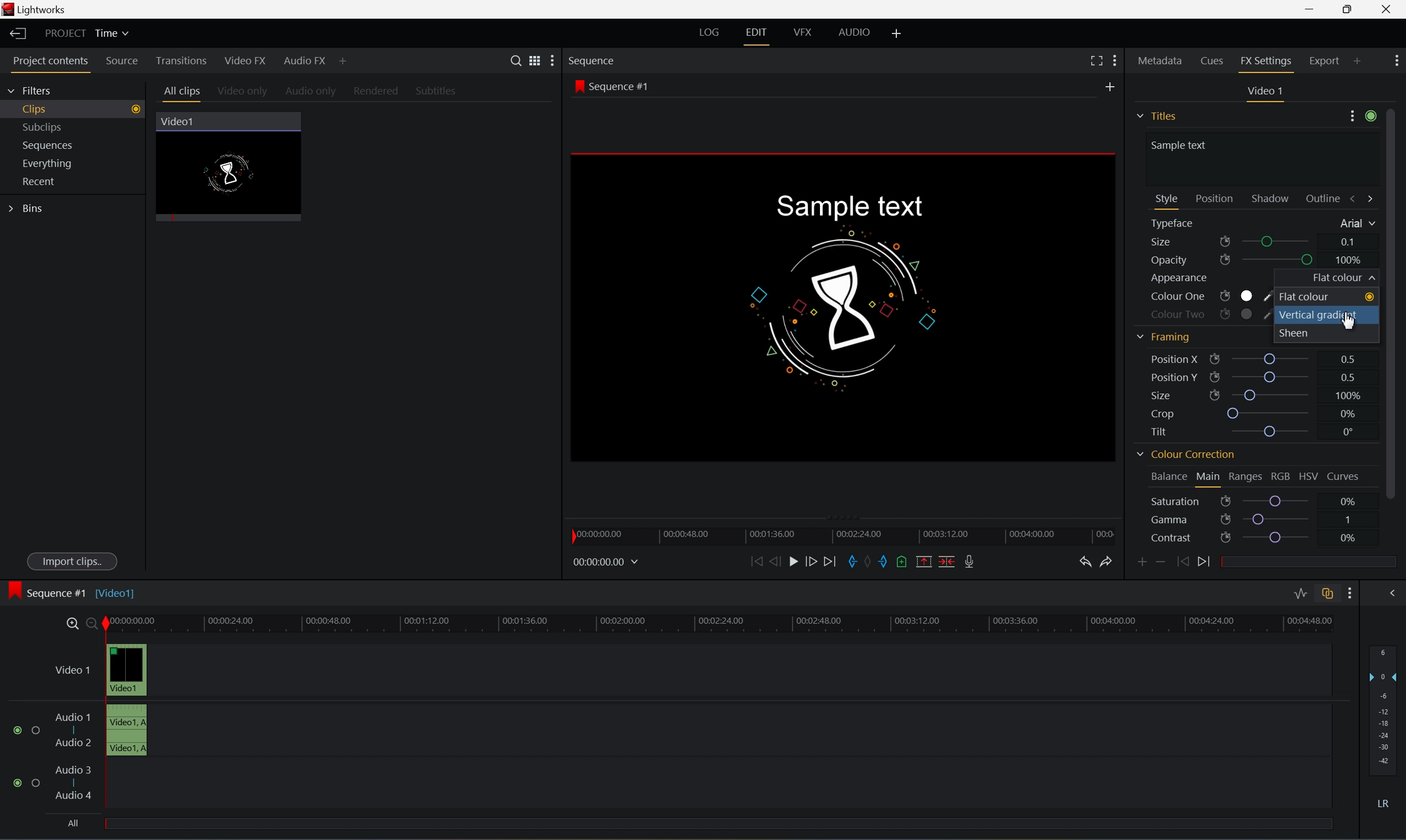  What do you see at coordinates (20, 783) in the screenshot?
I see `checked checkbox` at bounding box center [20, 783].